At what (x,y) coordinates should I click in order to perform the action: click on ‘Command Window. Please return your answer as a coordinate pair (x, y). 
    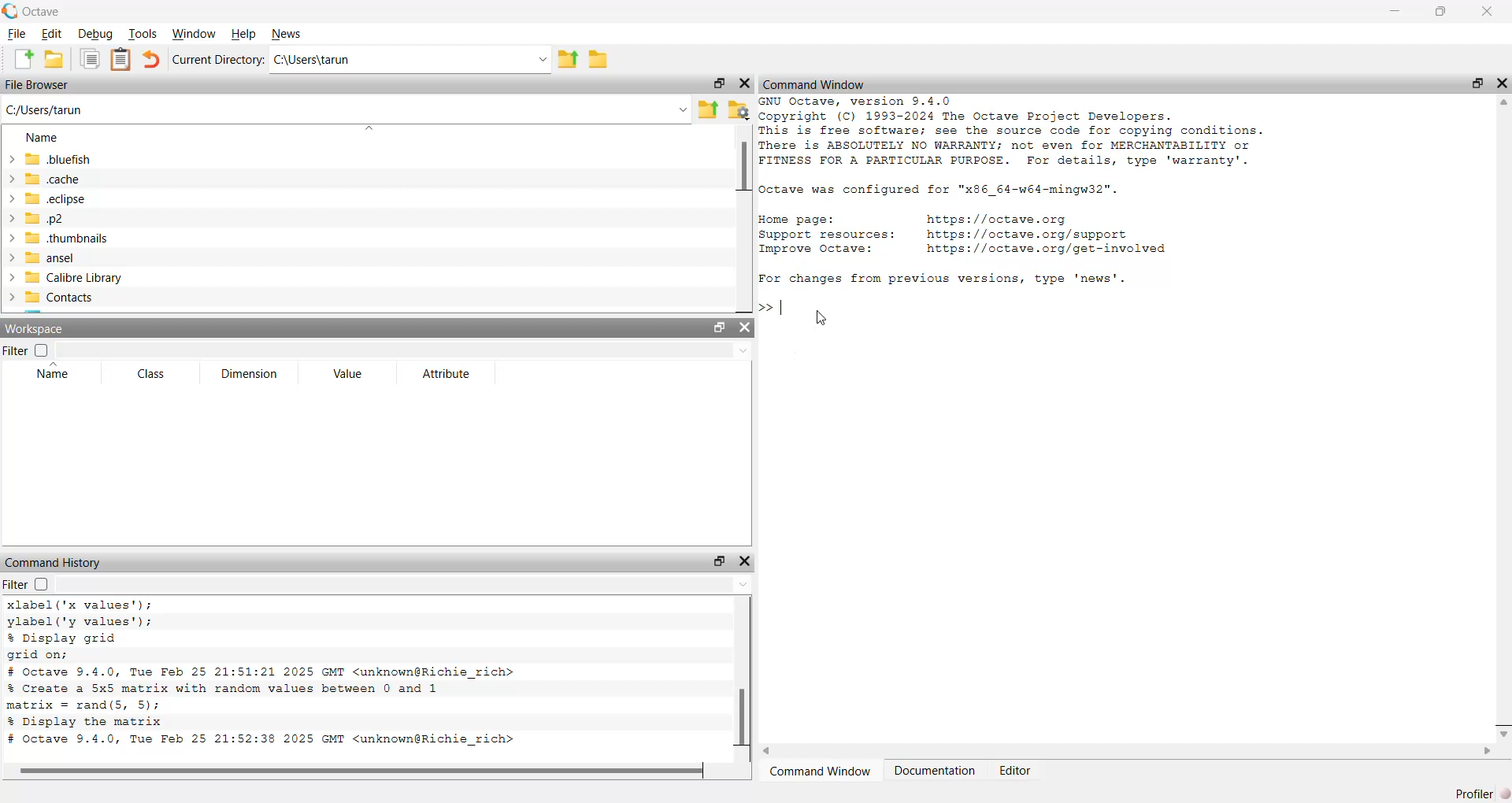
    Looking at the image, I should click on (820, 772).